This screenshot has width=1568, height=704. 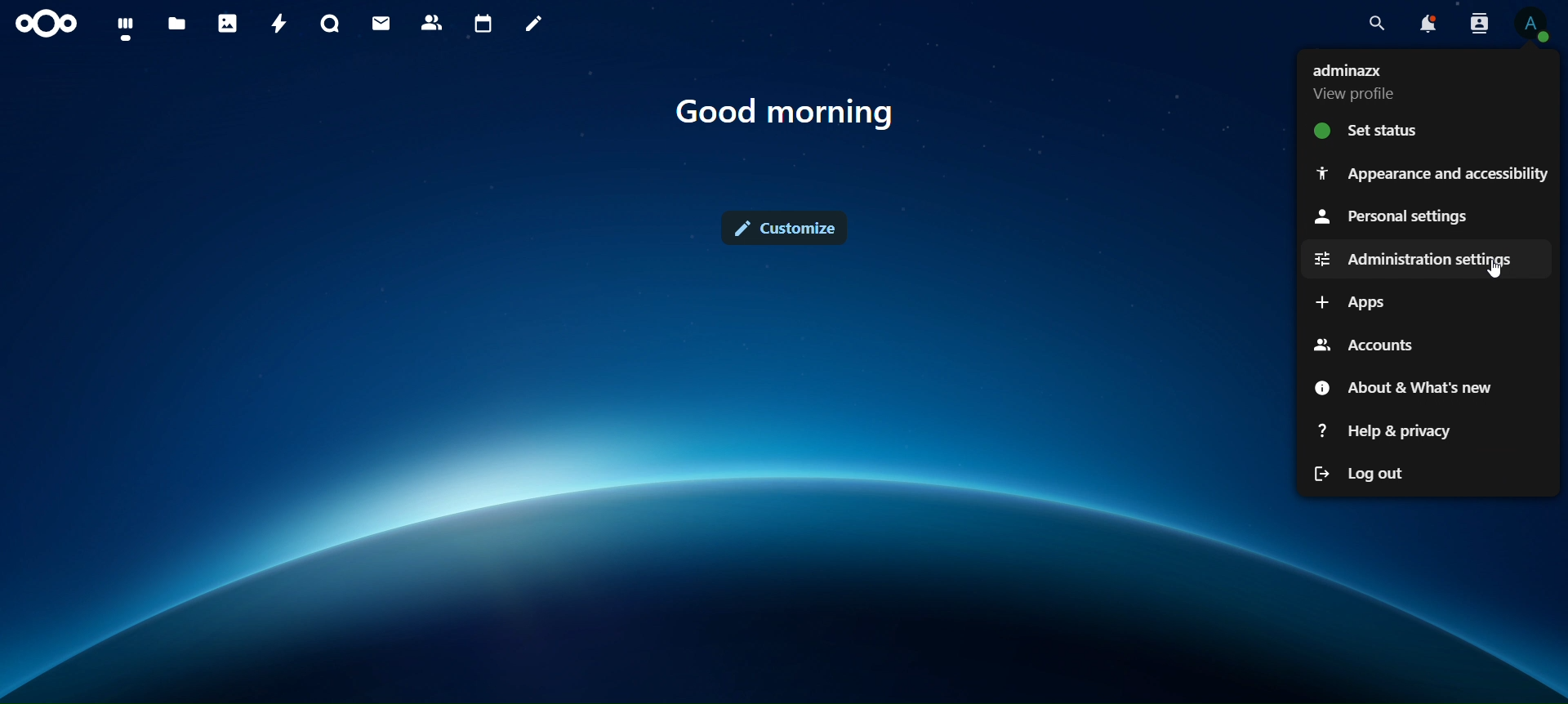 I want to click on notes, so click(x=536, y=25).